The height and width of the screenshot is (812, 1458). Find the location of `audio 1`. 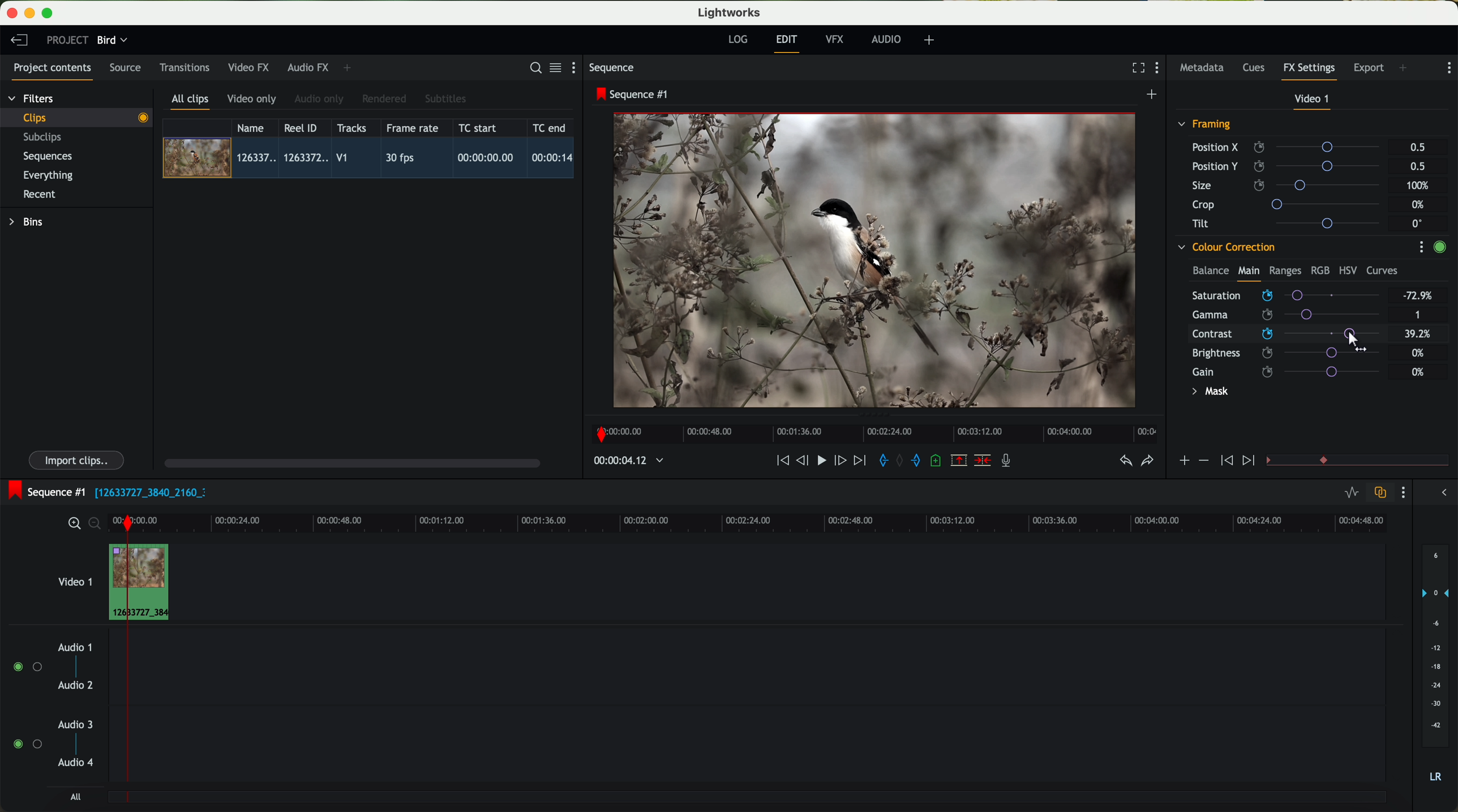

audio 1 is located at coordinates (75, 647).